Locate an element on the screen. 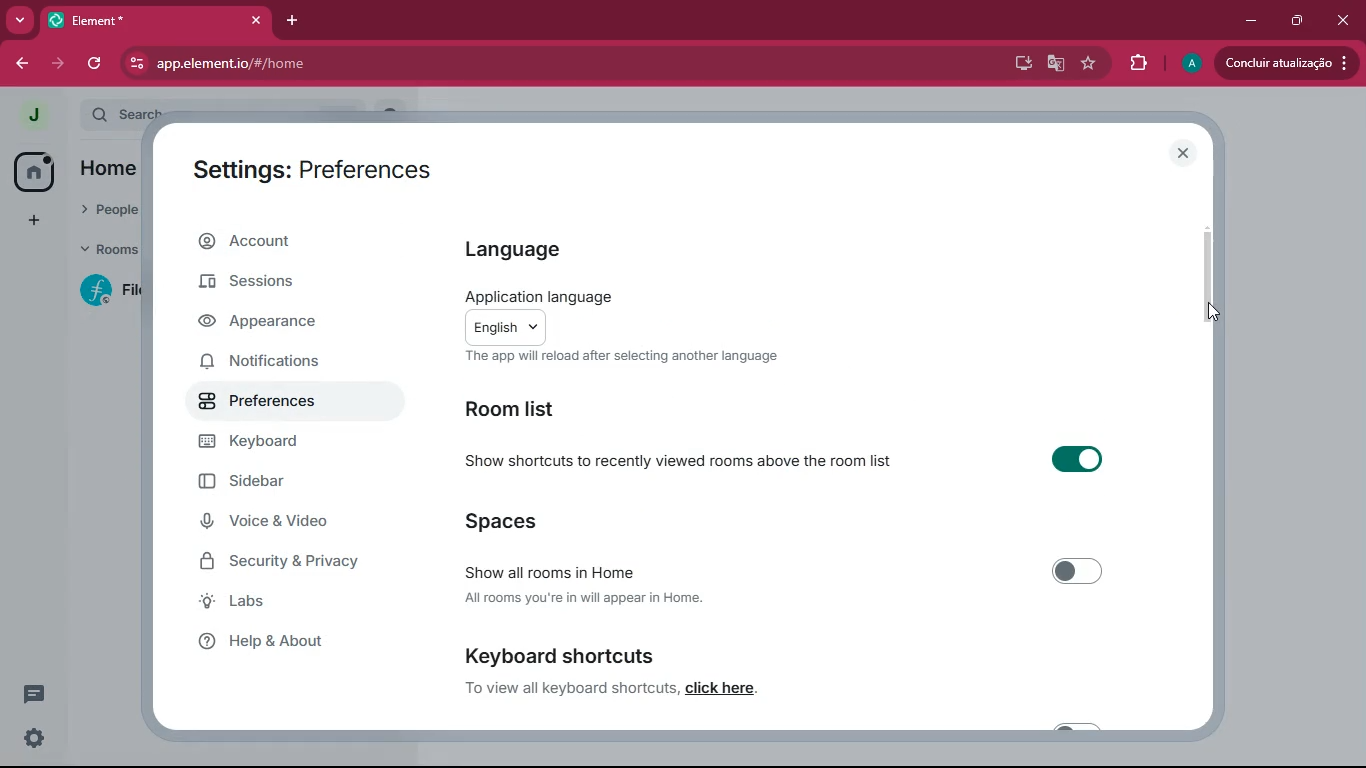 This screenshot has width=1366, height=768. extensions is located at coordinates (1137, 64).